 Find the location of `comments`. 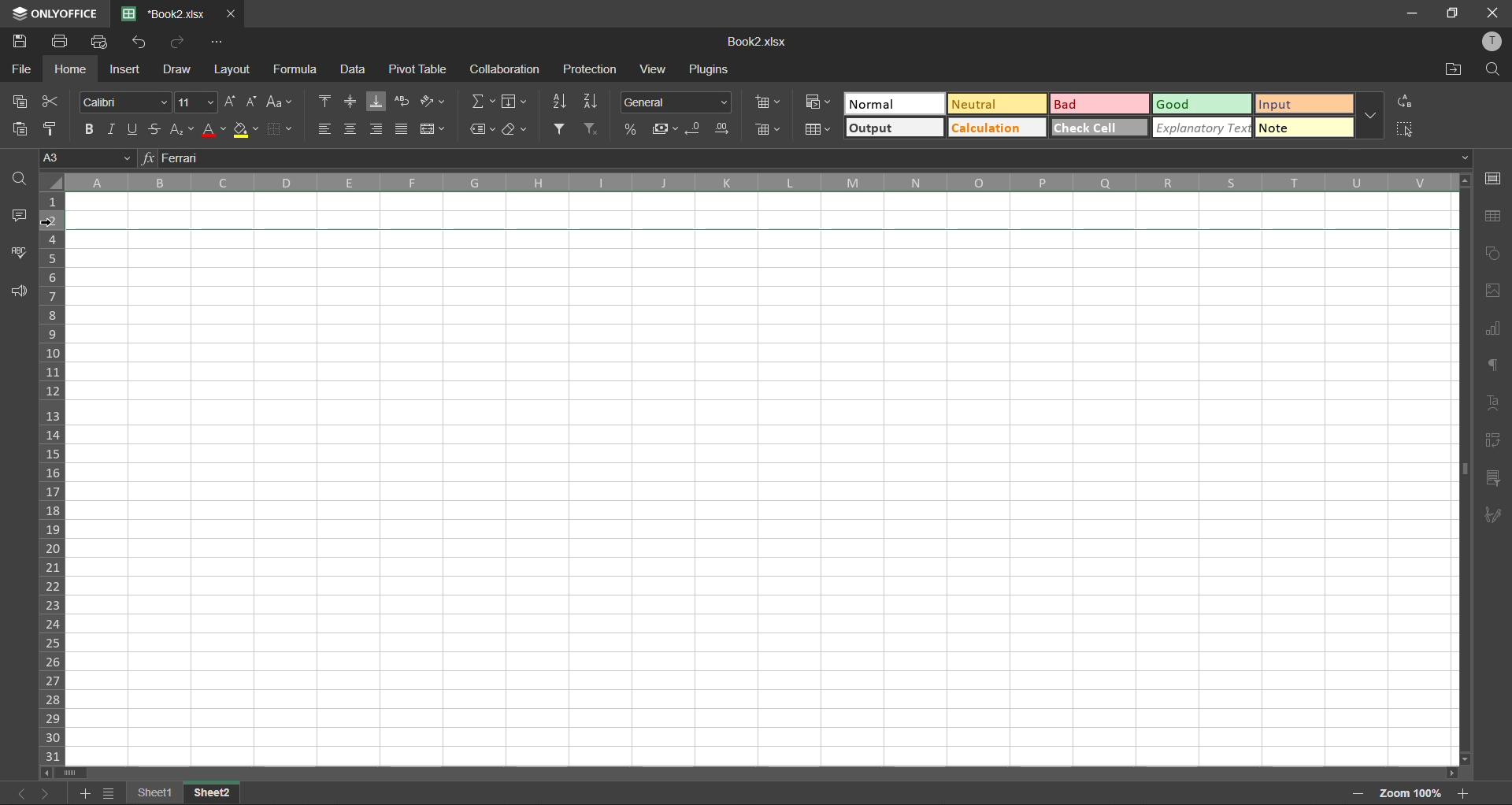

comments is located at coordinates (22, 218).